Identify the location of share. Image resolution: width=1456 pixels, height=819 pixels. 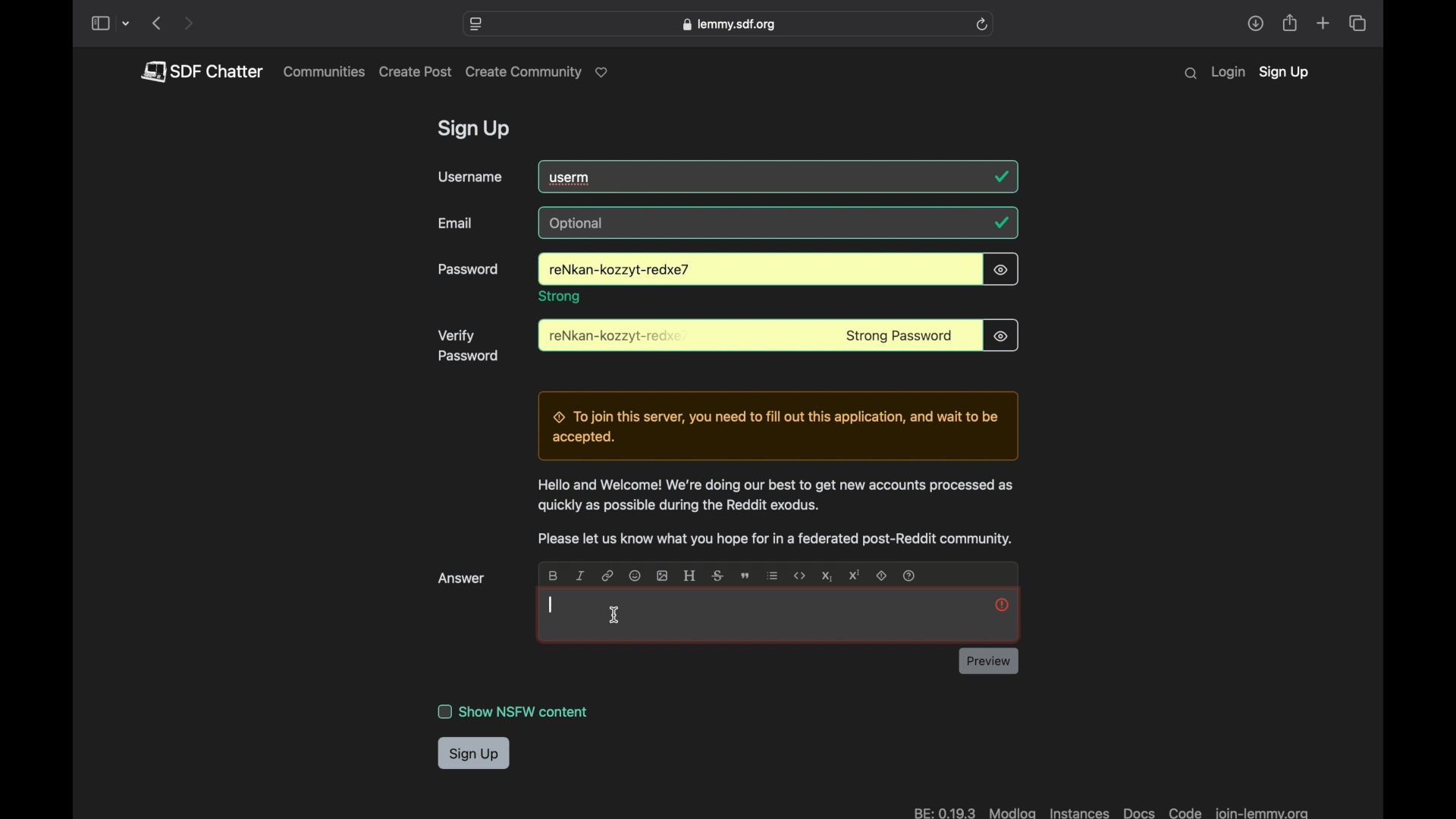
(1291, 24).